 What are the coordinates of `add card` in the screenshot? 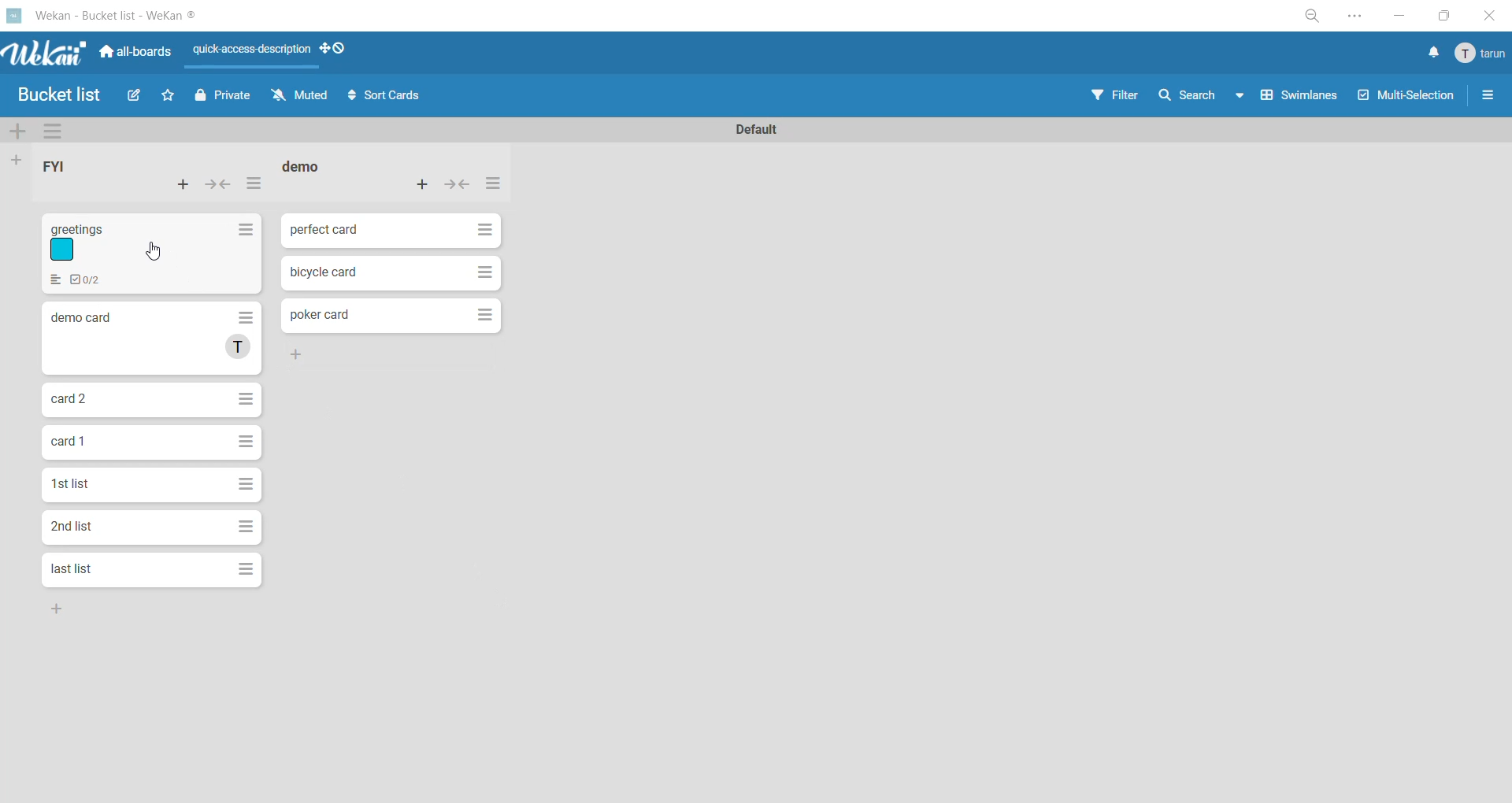 It's located at (182, 191).